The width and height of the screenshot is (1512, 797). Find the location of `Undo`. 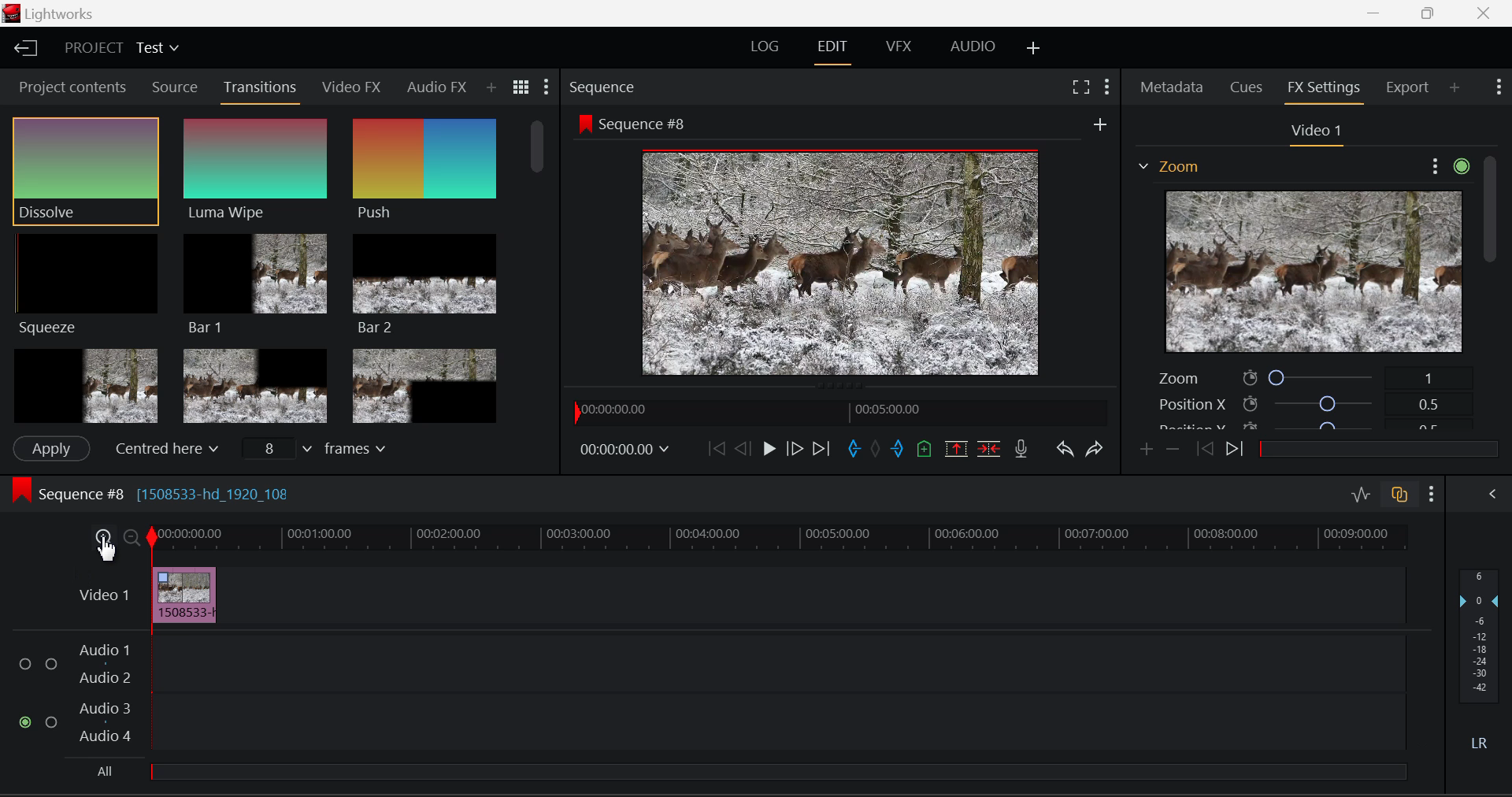

Undo is located at coordinates (1064, 450).